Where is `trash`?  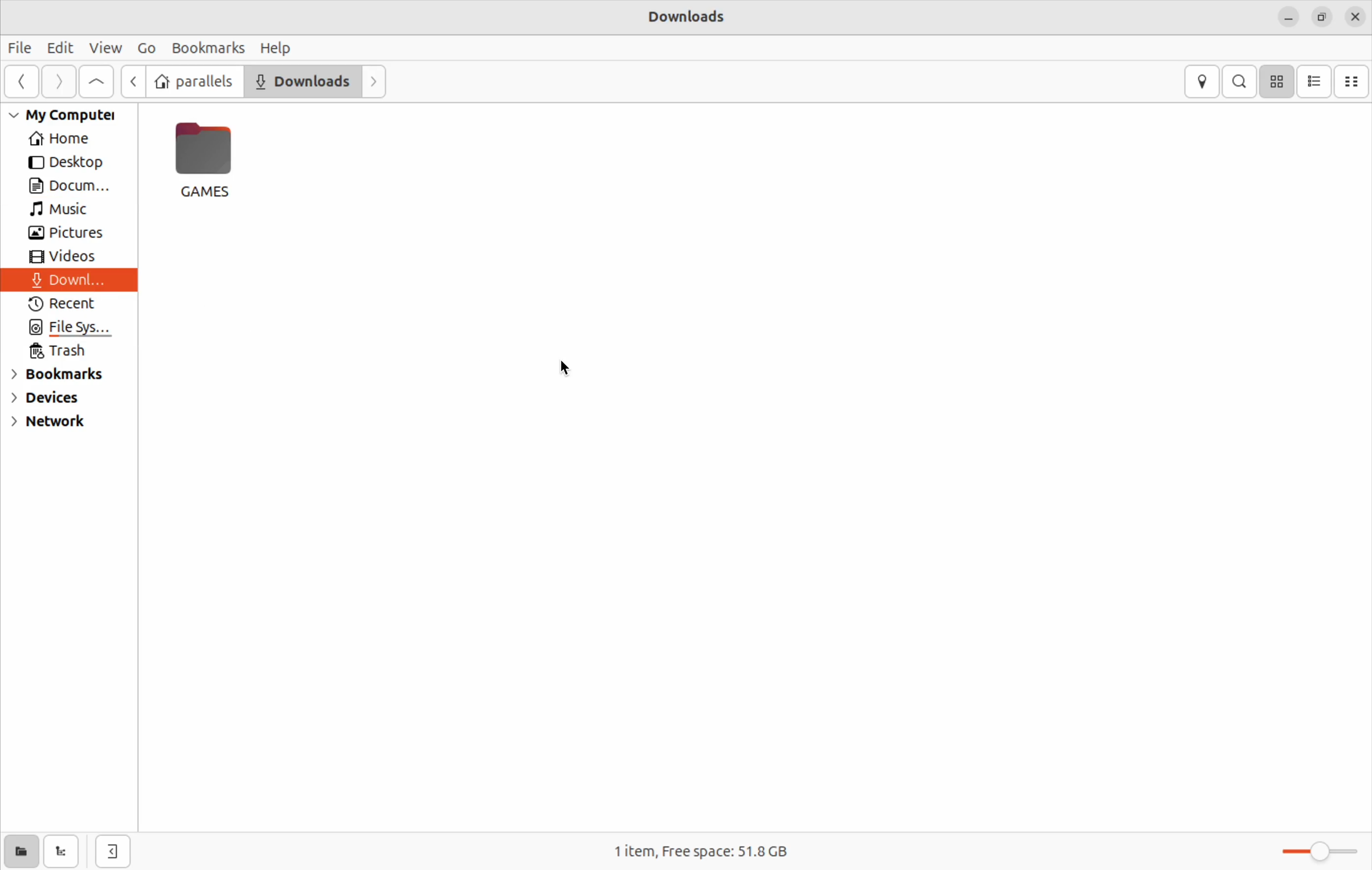 trash is located at coordinates (60, 352).